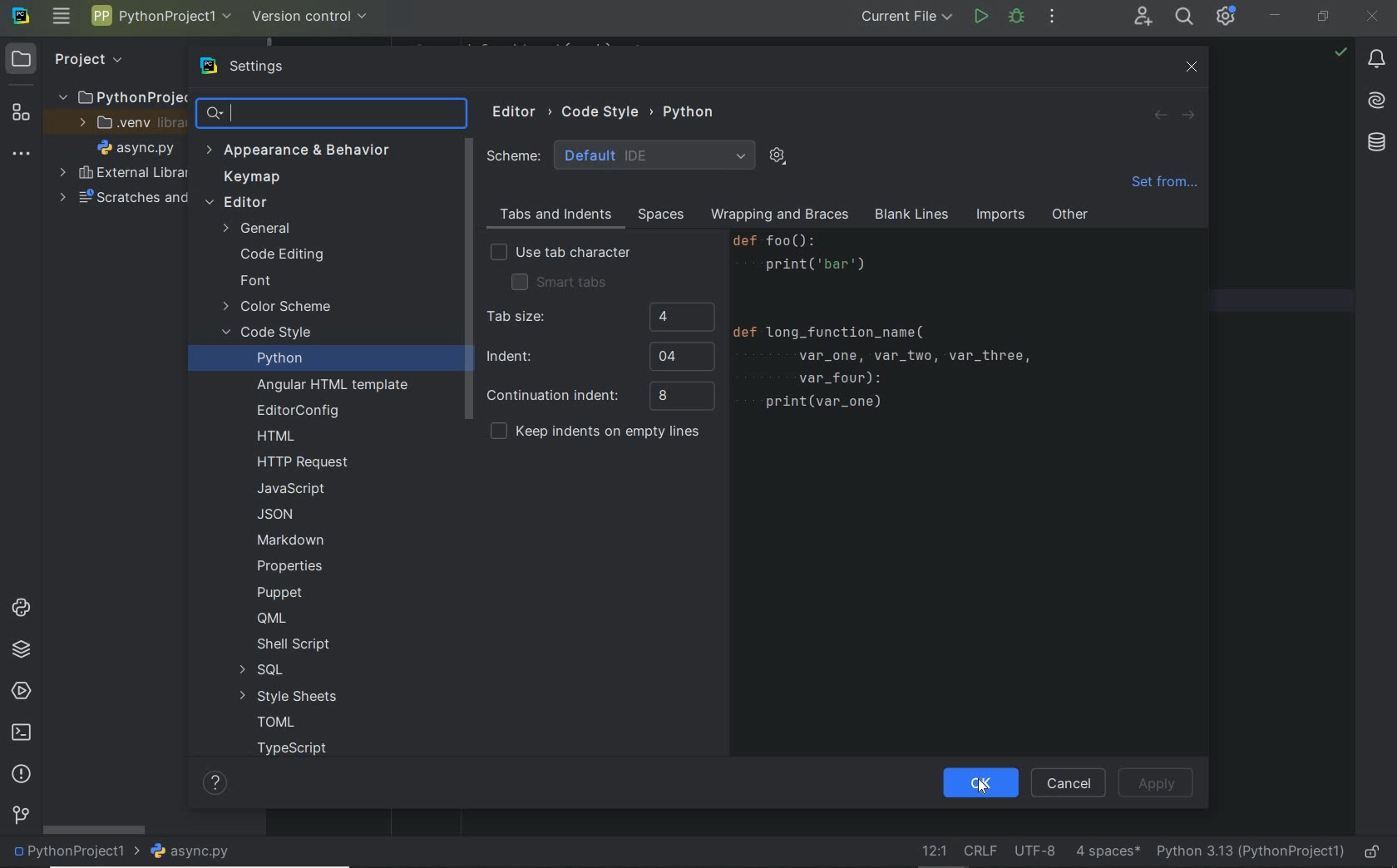  What do you see at coordinates (274, 723) in the screenshot?
I see `TOML` at bounding box center [274, 723].